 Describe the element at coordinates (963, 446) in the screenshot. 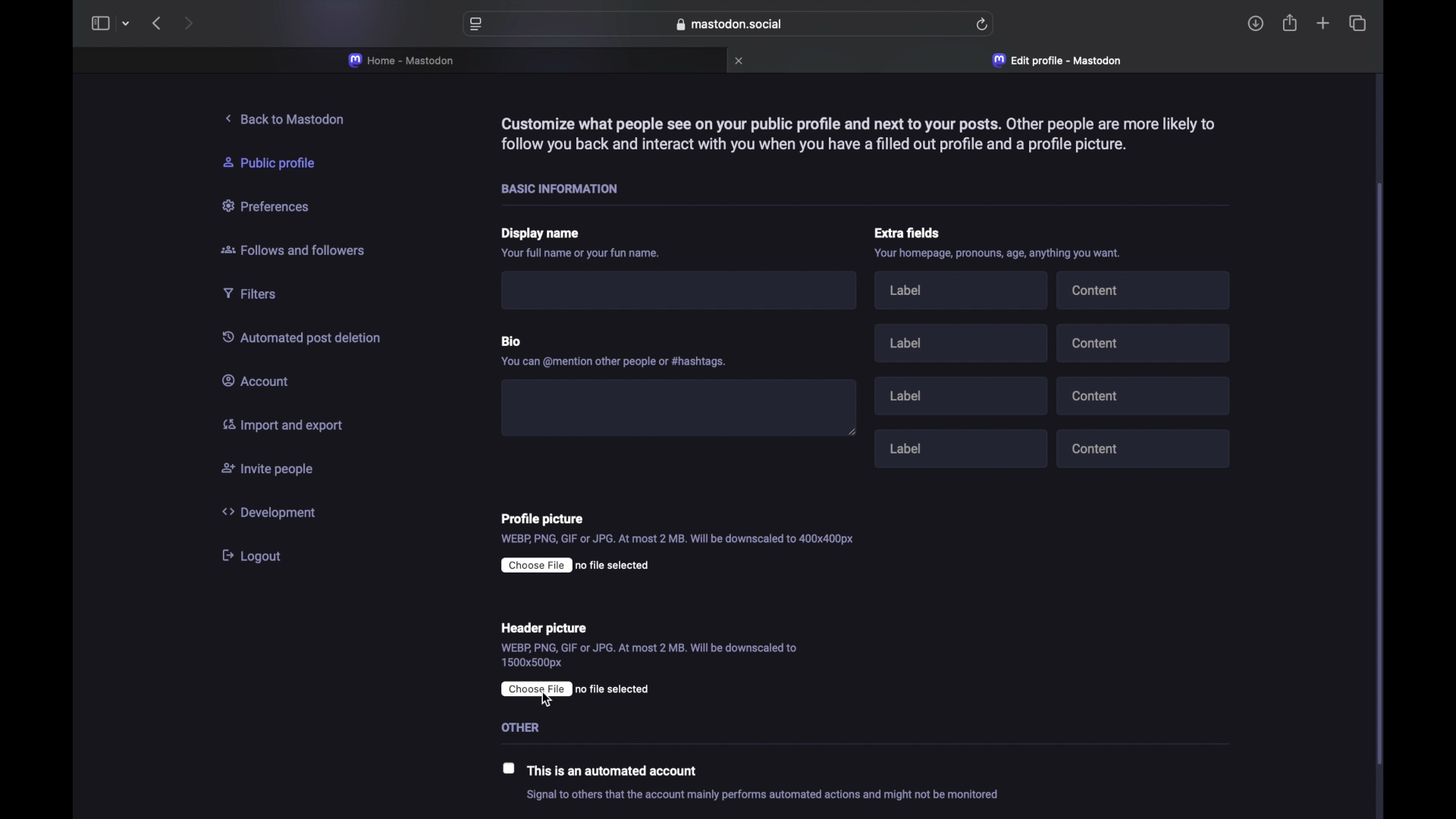

I see `label` at that location.